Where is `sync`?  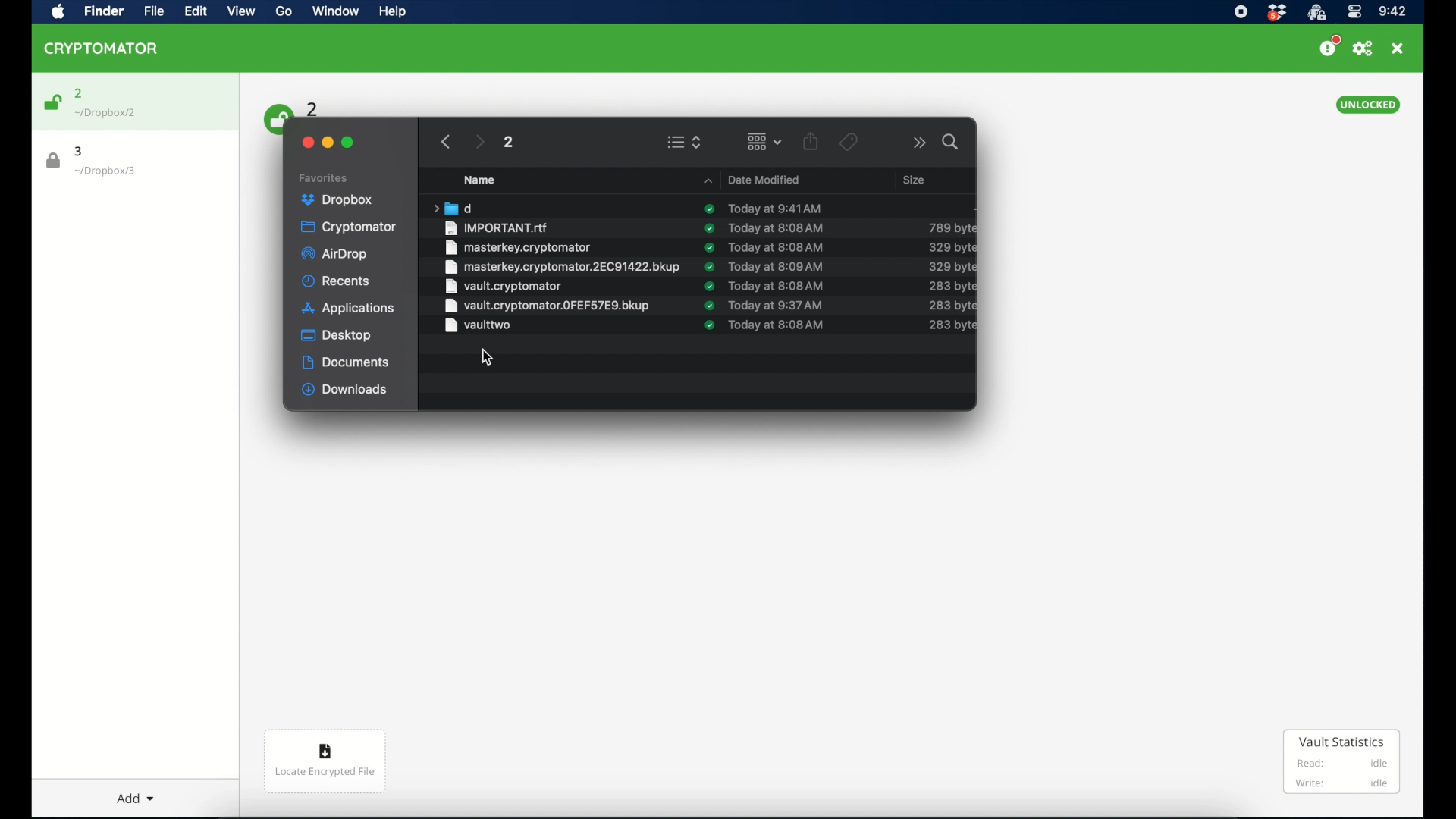 sync is located at coordinates (709, 286).